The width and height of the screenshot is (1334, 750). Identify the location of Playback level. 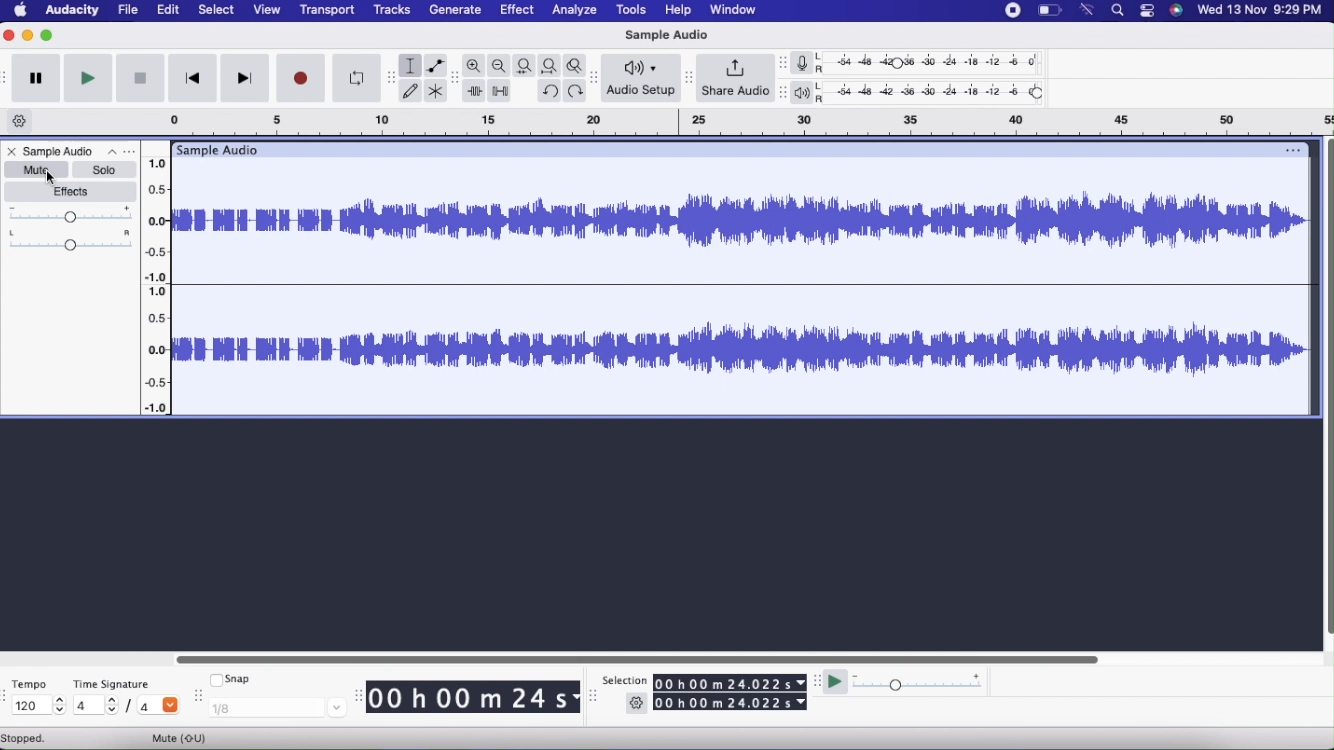
(934, 92).